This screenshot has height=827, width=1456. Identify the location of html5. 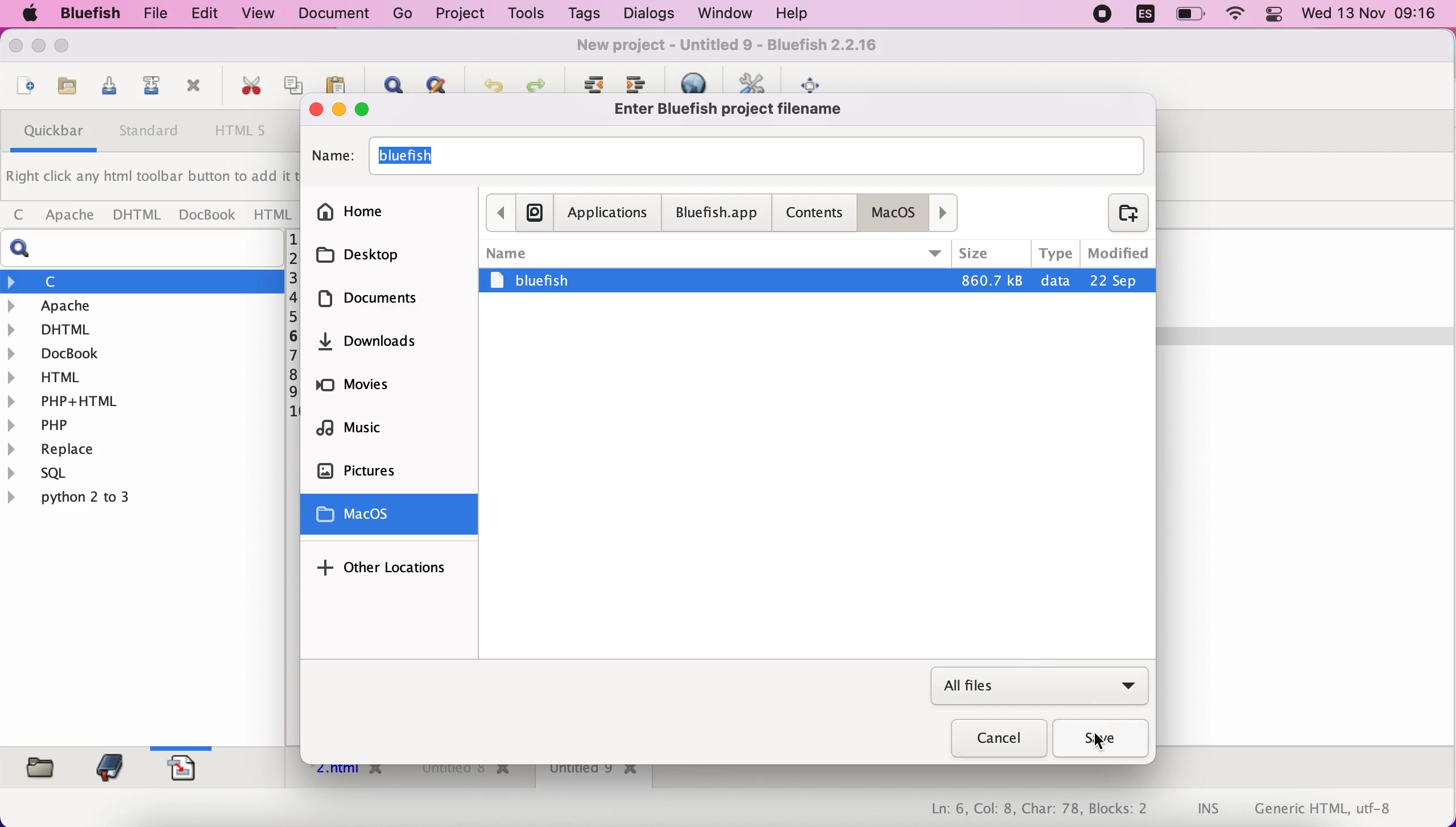
(243, 132).